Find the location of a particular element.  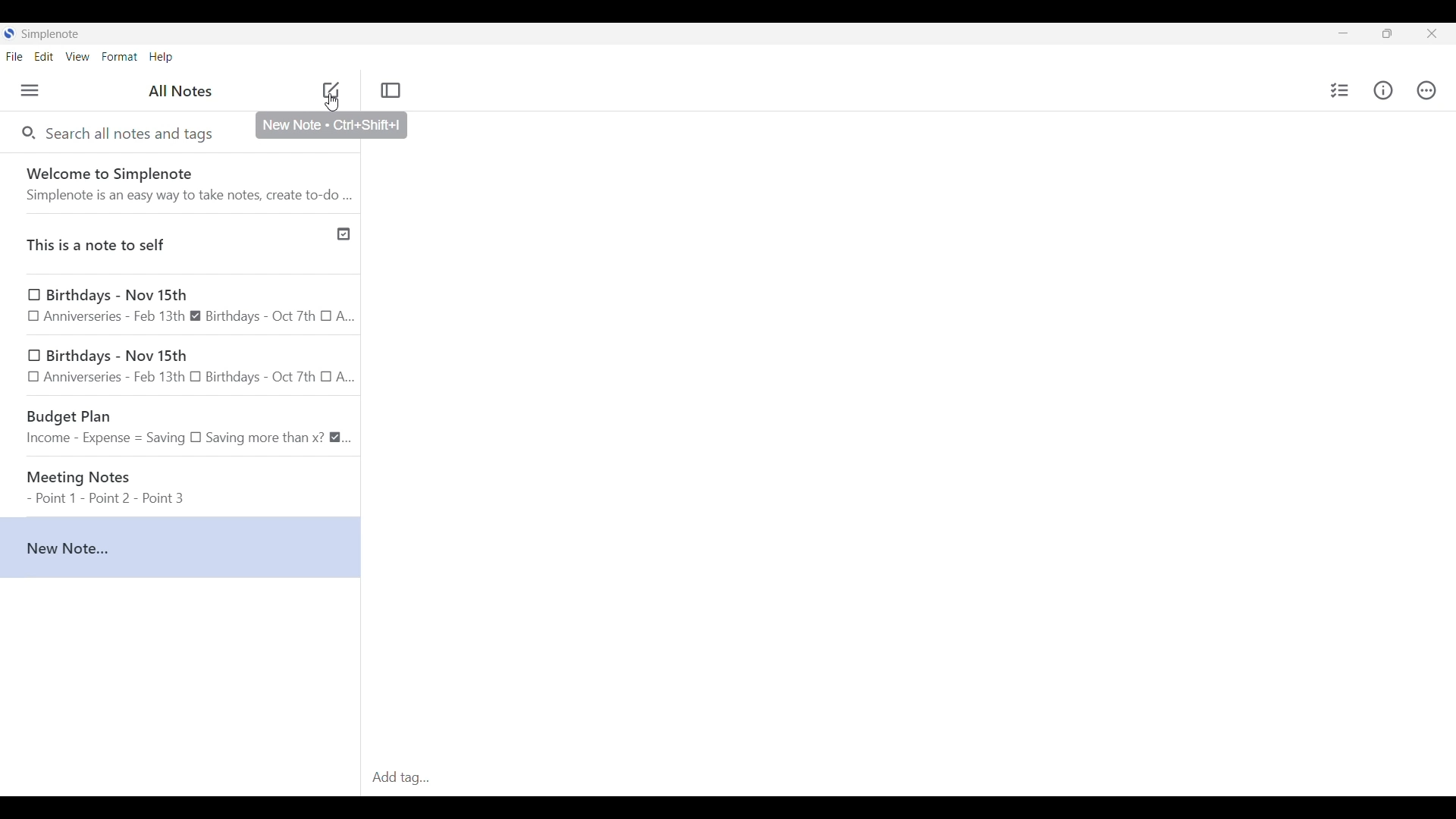

Toggle focus mode is located at coordinates (391, 90).